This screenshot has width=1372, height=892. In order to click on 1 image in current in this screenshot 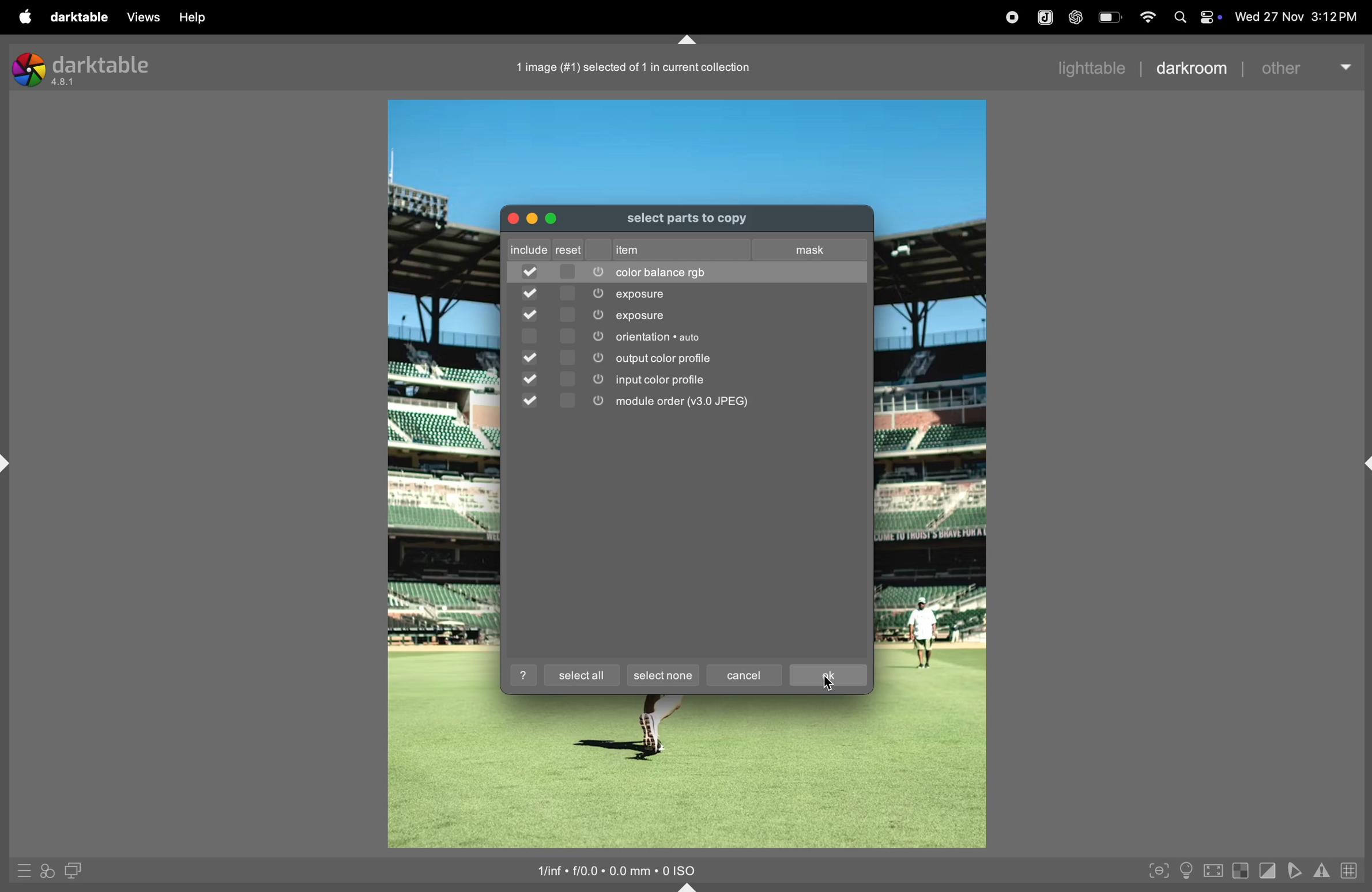, I will do `click(636, 68)`.